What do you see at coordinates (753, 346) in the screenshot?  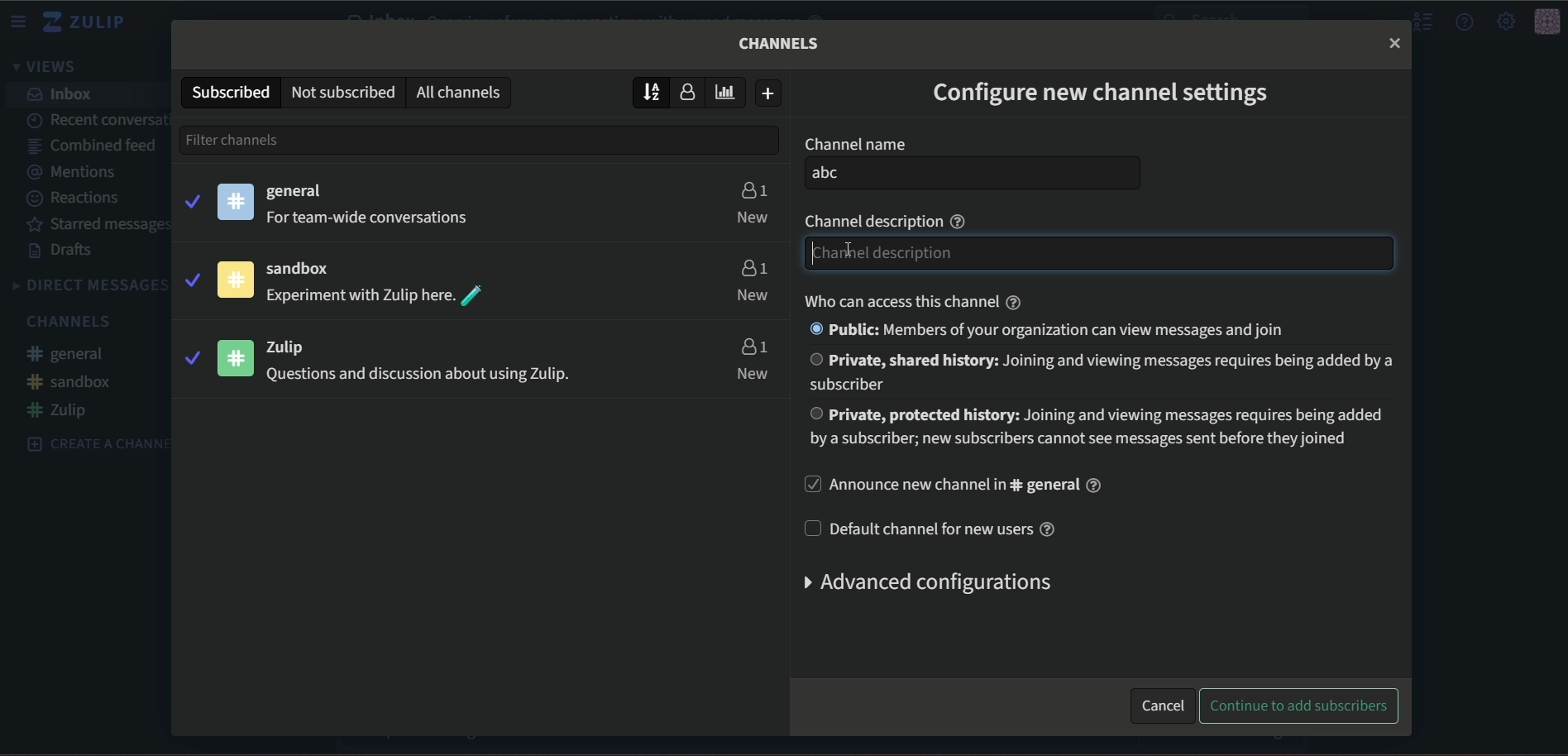 I see `users` at bounding box center [753, 346].